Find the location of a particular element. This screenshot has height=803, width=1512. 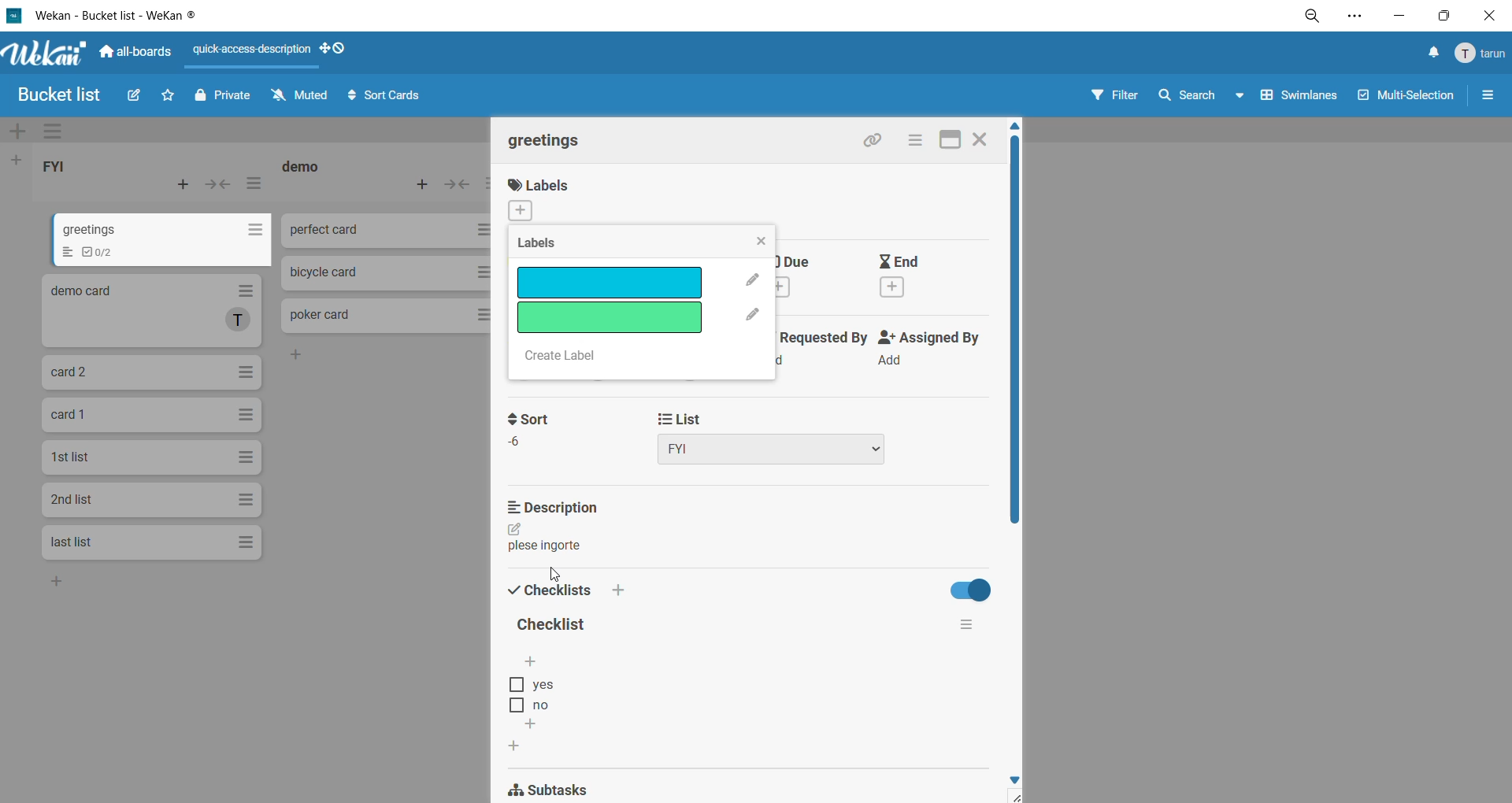

add card is located at coordinates (424, 187).